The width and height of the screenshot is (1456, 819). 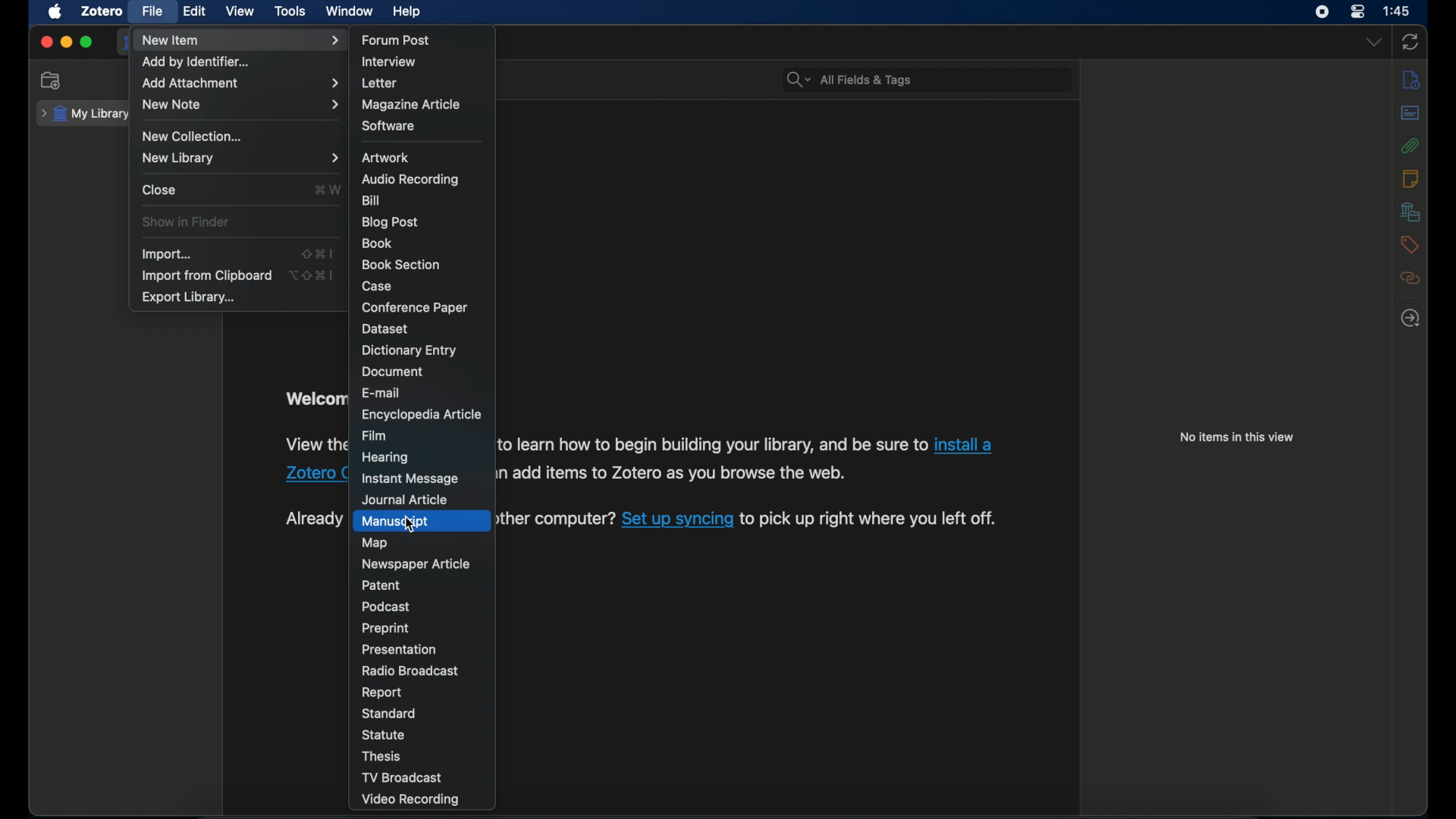 I want to click on notes, so click(x=1411, y=179).